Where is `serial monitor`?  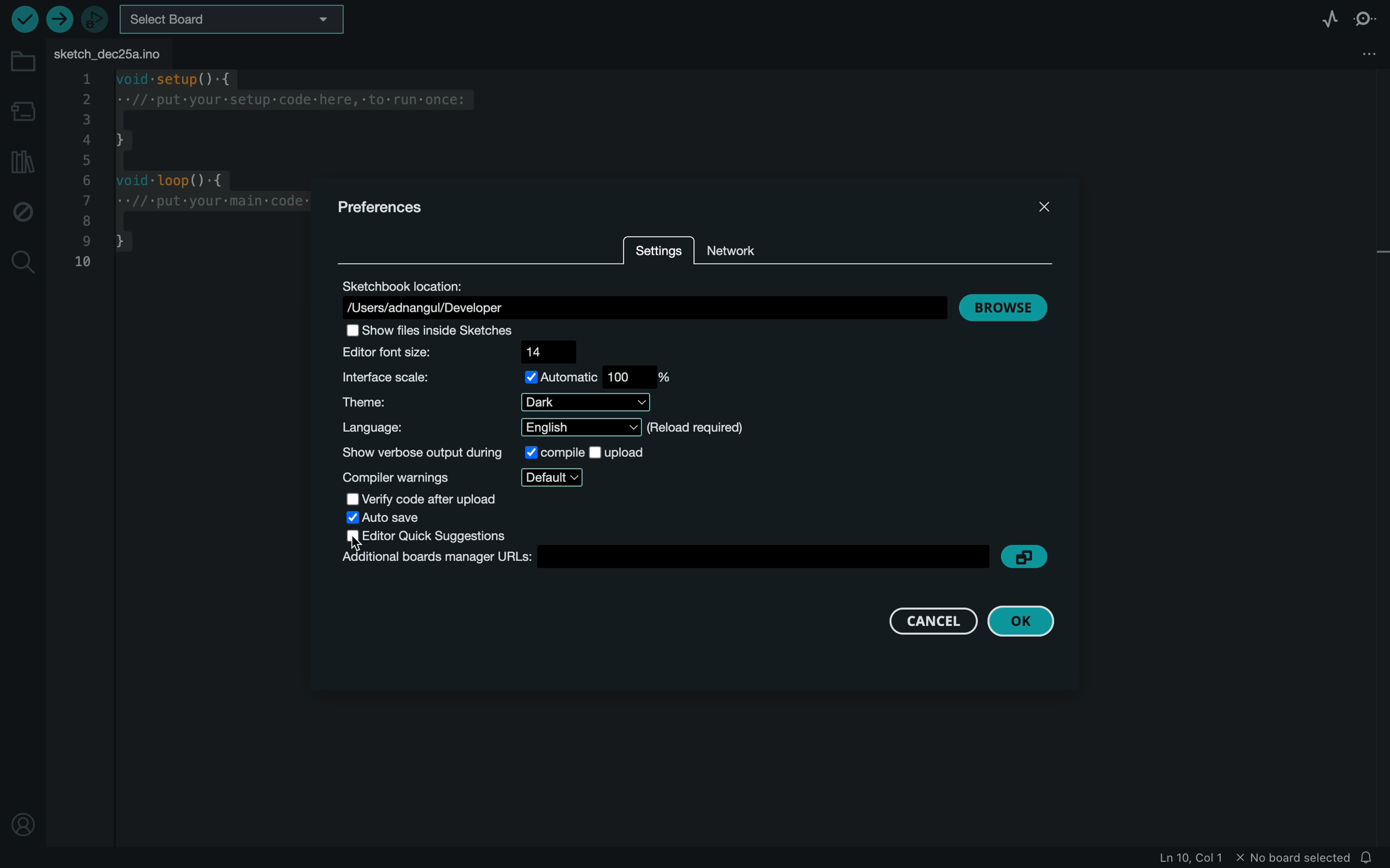
serial monitor is located at coordinates (1367, 19).